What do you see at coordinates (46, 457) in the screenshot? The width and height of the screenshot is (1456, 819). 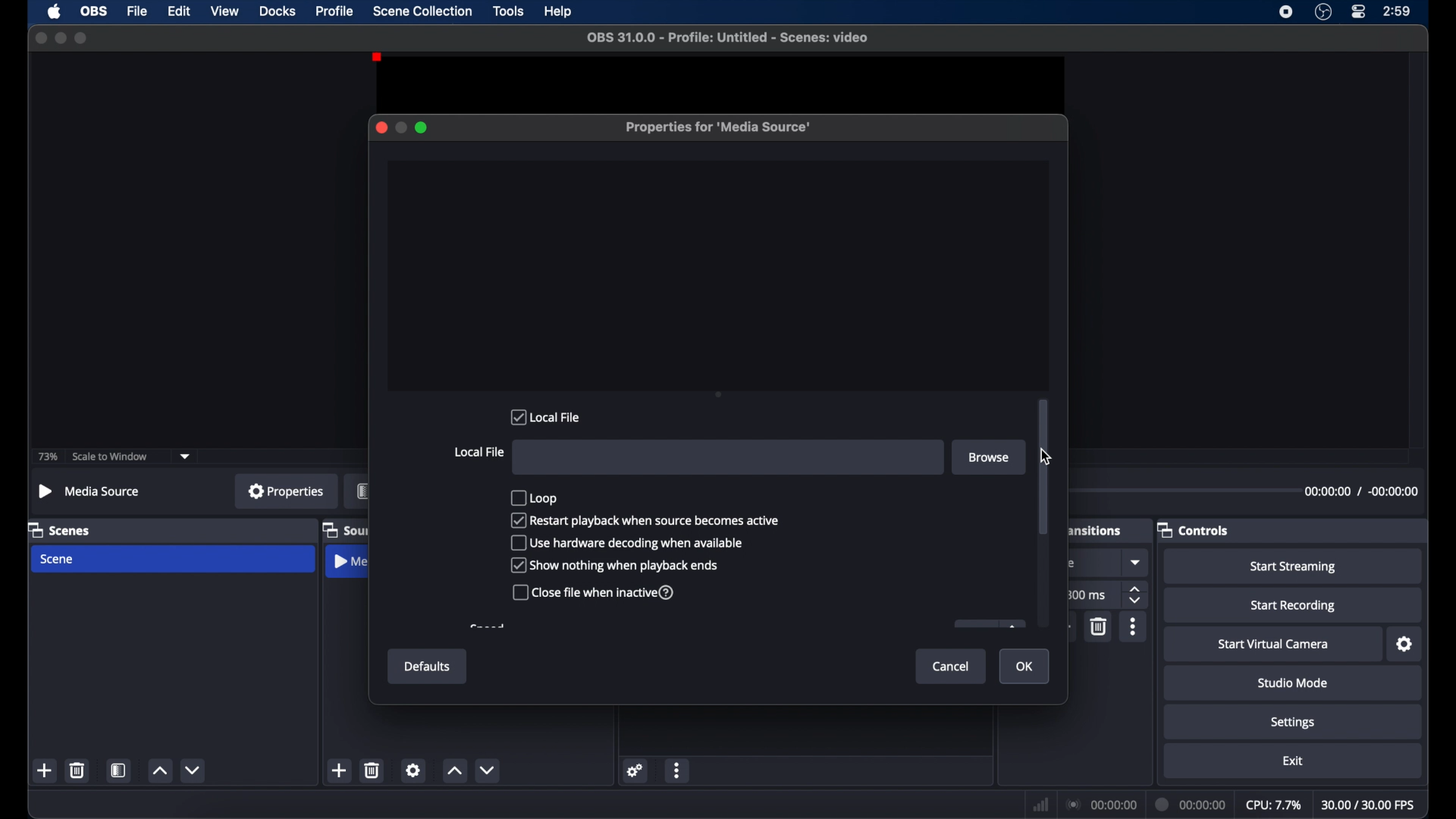 I see `73%` at bounding box center [46, 457].